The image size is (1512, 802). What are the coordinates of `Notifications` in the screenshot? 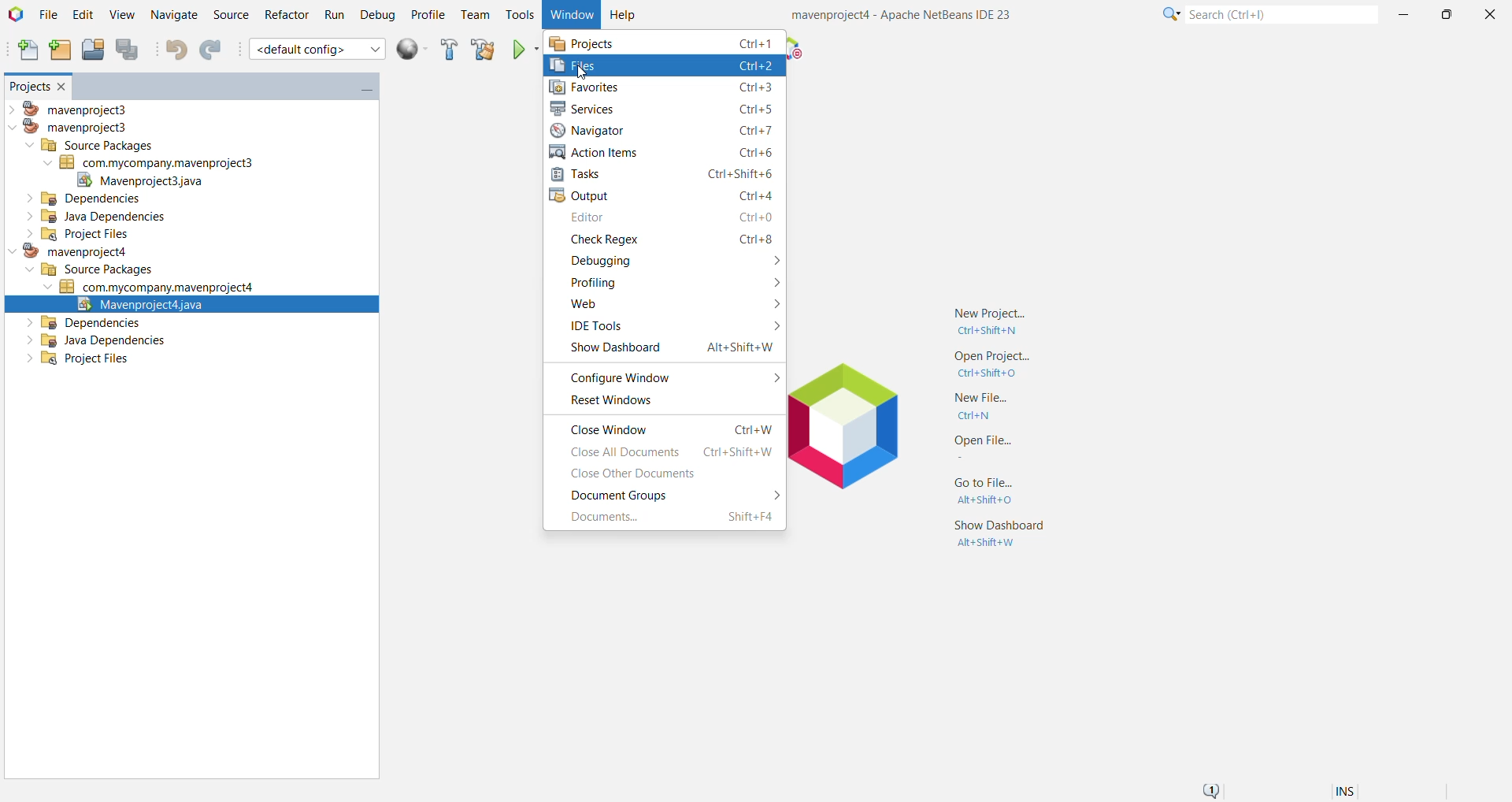 It's located at (1214, 788).